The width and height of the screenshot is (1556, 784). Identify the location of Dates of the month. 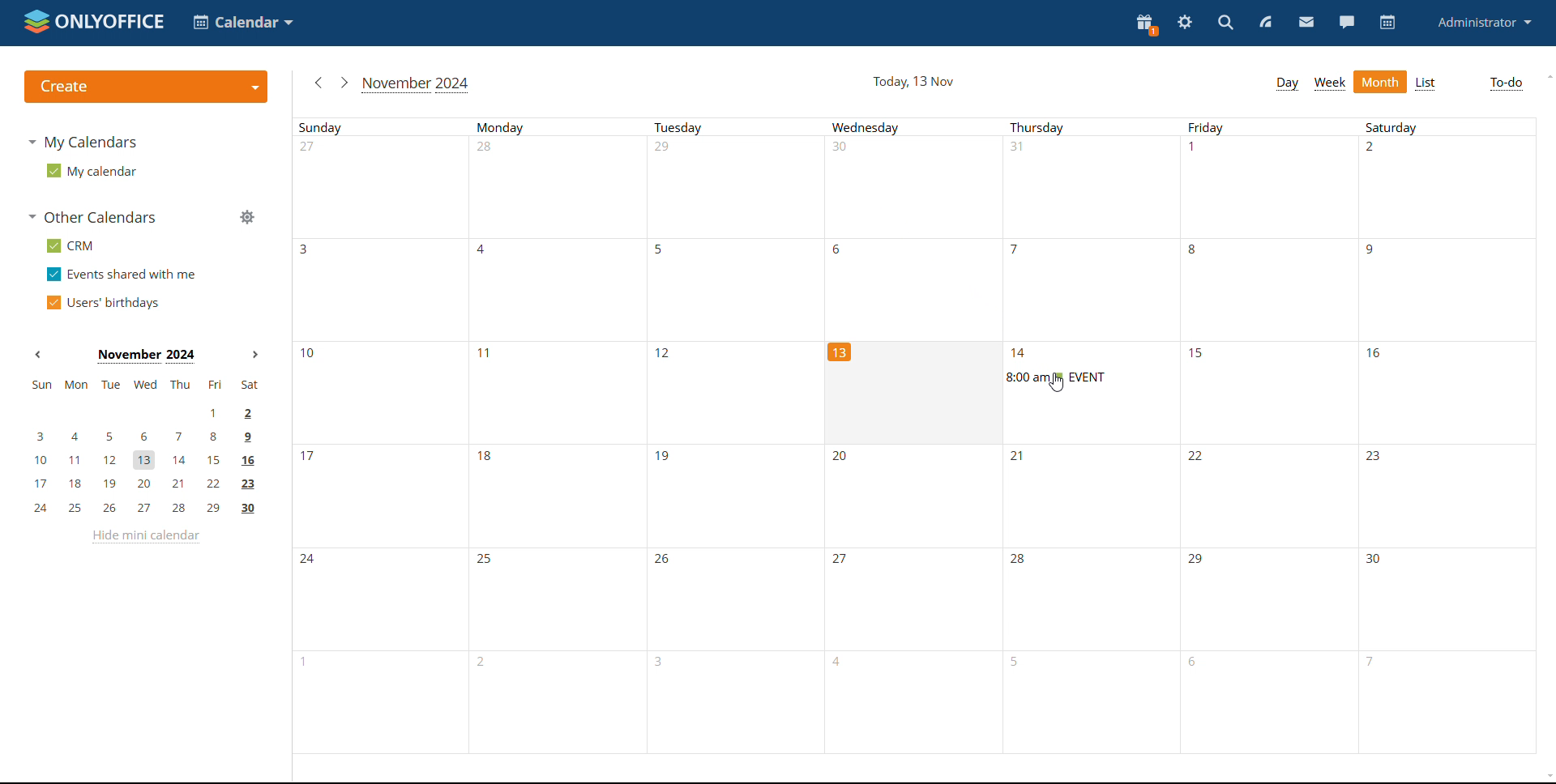
(559, 387).